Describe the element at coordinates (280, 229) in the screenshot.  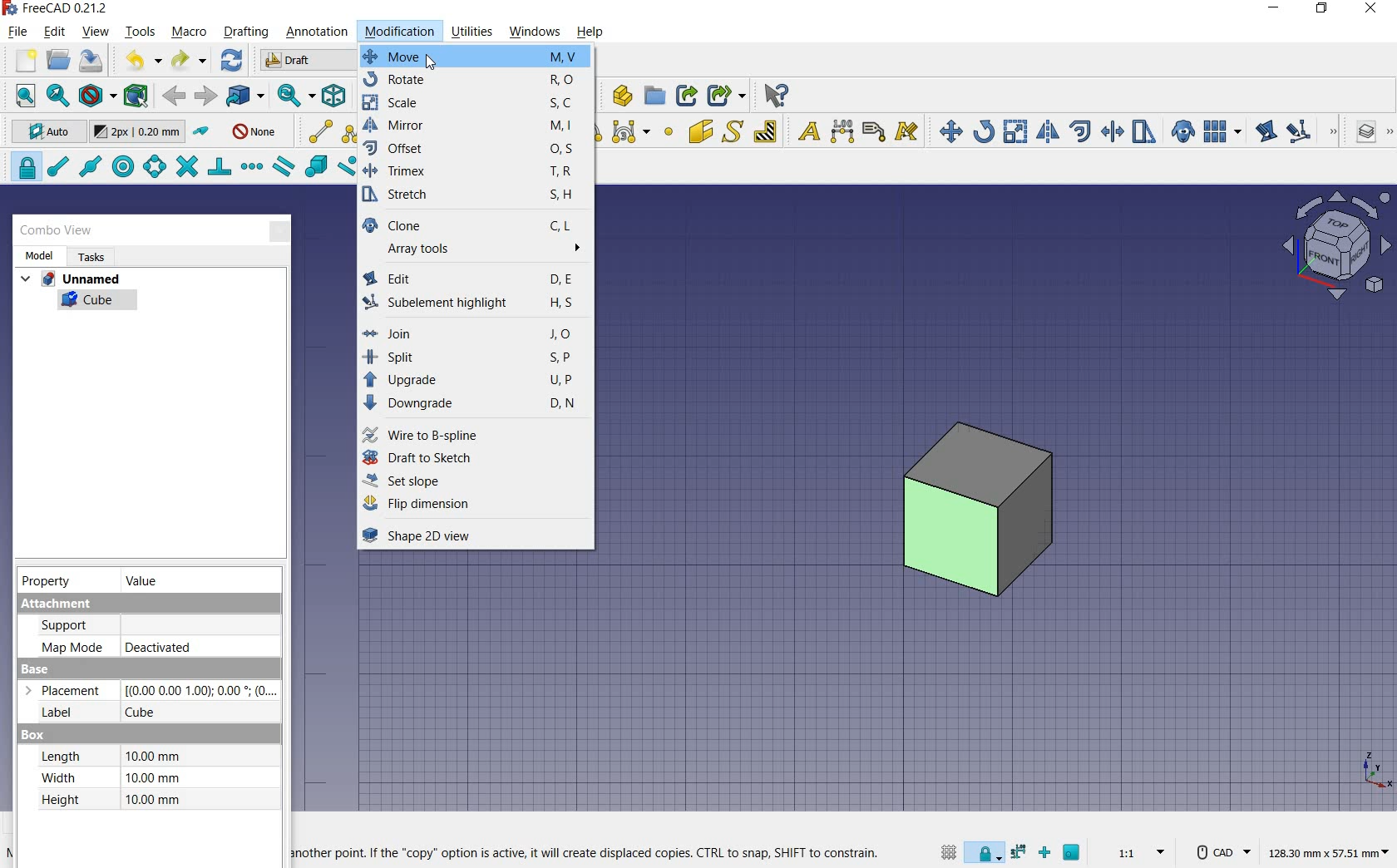
I see `close` at that location.